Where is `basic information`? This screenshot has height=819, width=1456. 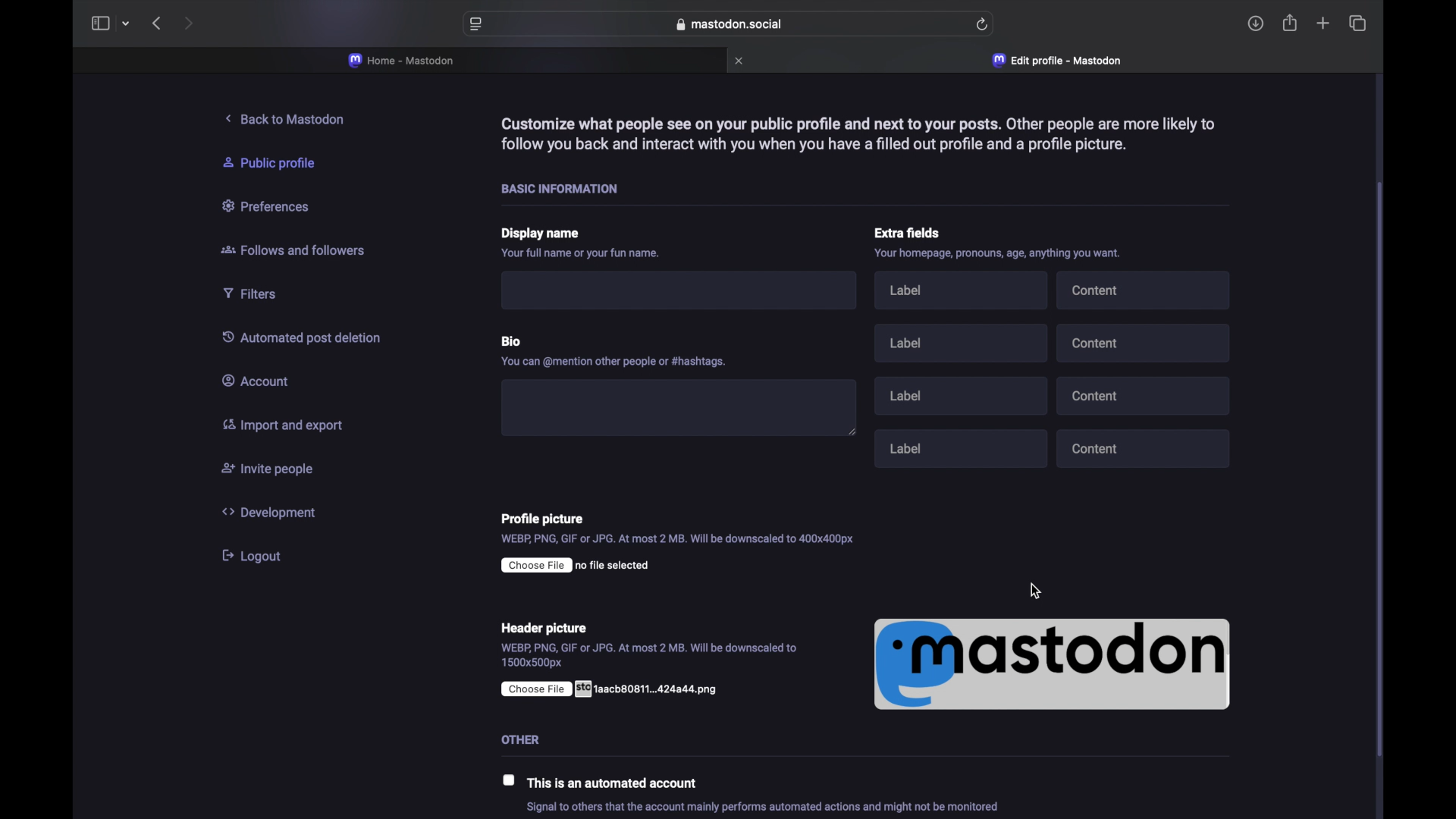
basic information is located at coordinates (566, 189).